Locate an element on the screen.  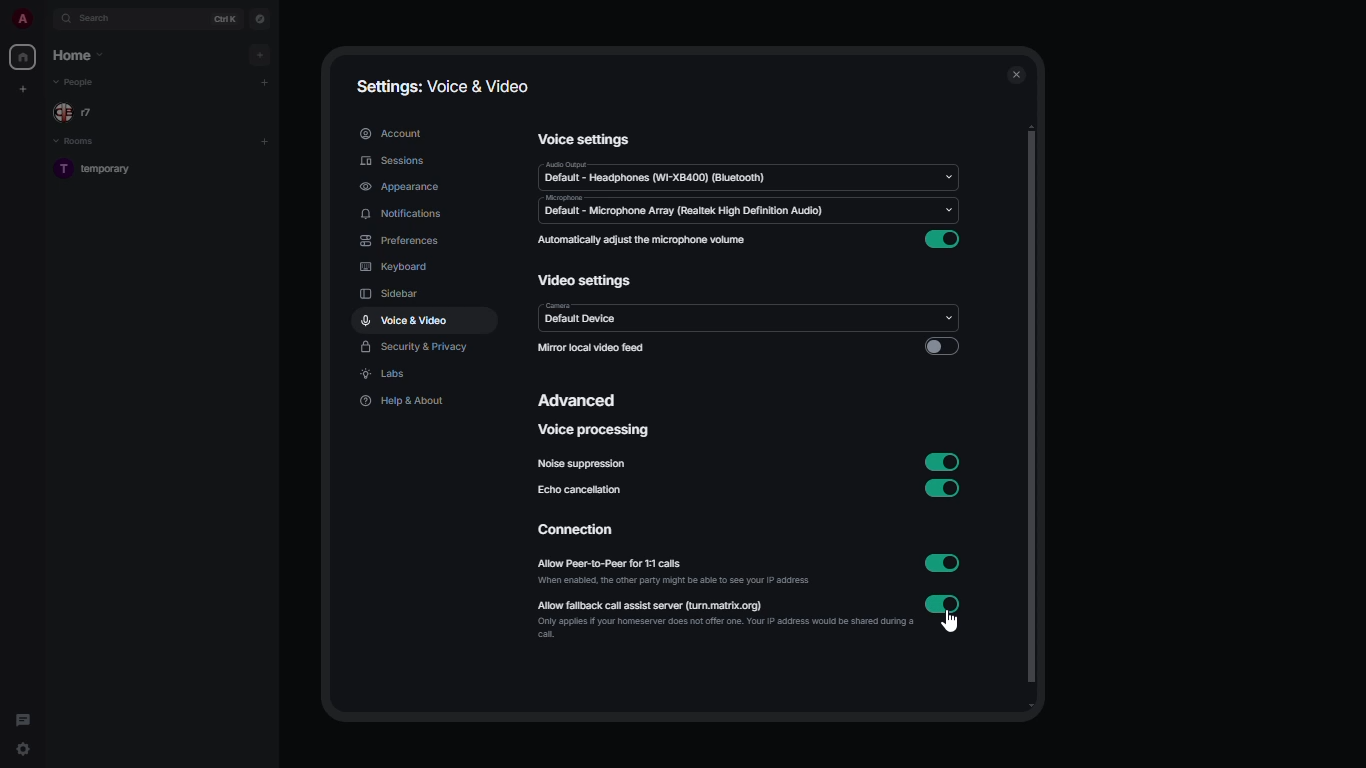
people is located at coordinates (76, 112).